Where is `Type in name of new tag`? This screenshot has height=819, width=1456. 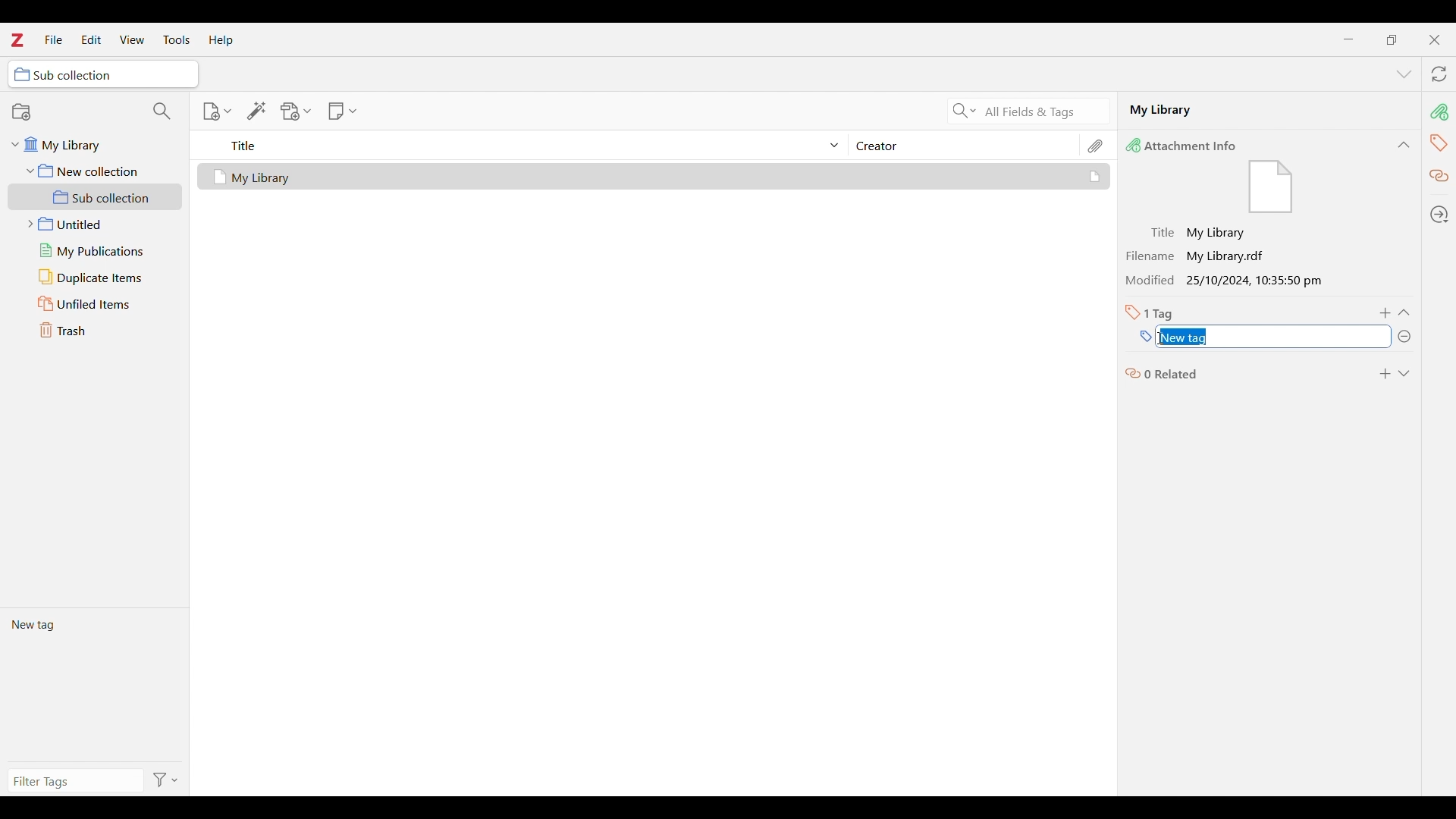 Type in name of new tag is located at coordinates (1146, 337).